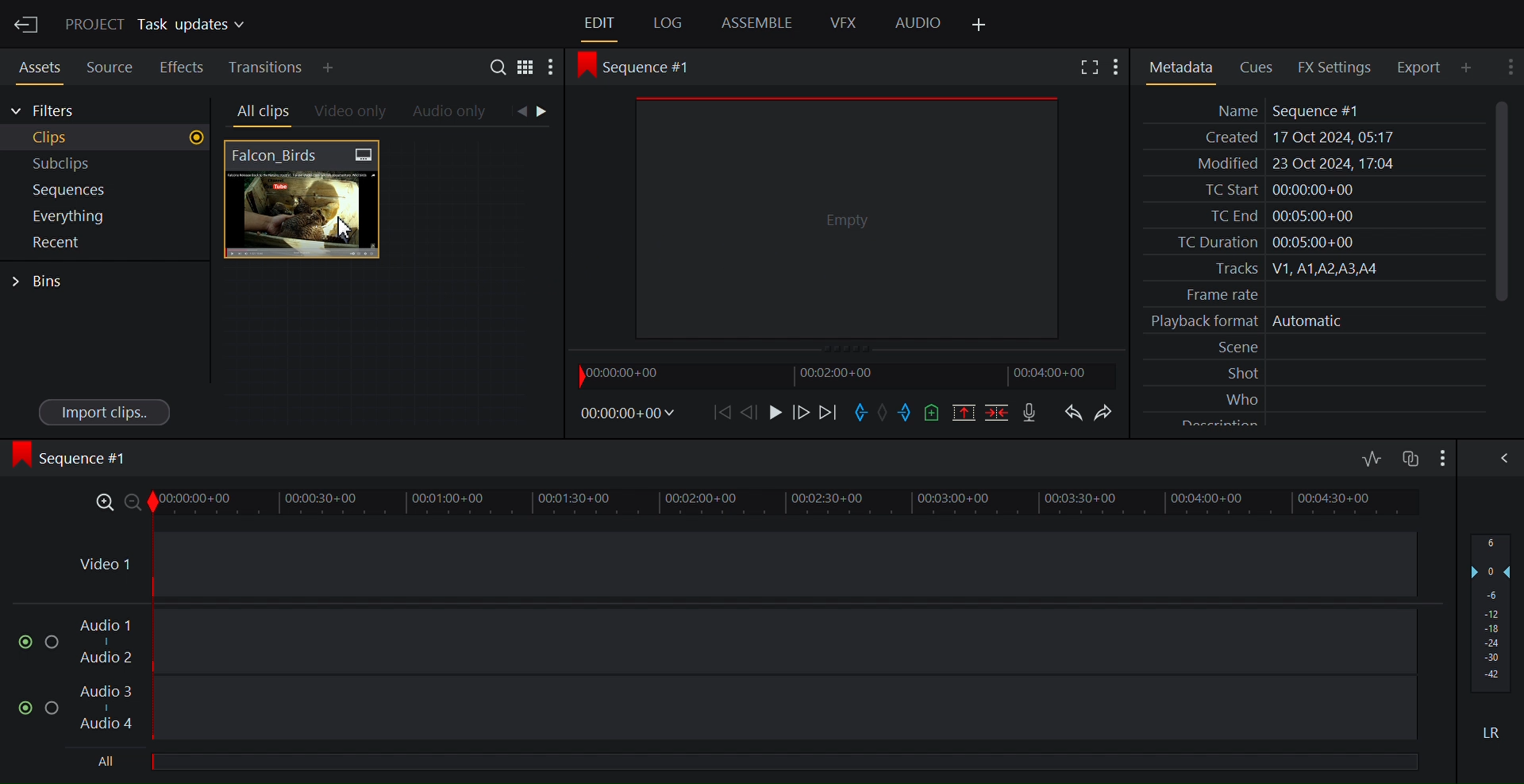 The height and width of the screenshot is (784, 1524). Describe the element at coordinates (1315, 397) in the screenshot. I see `Who` at that location.